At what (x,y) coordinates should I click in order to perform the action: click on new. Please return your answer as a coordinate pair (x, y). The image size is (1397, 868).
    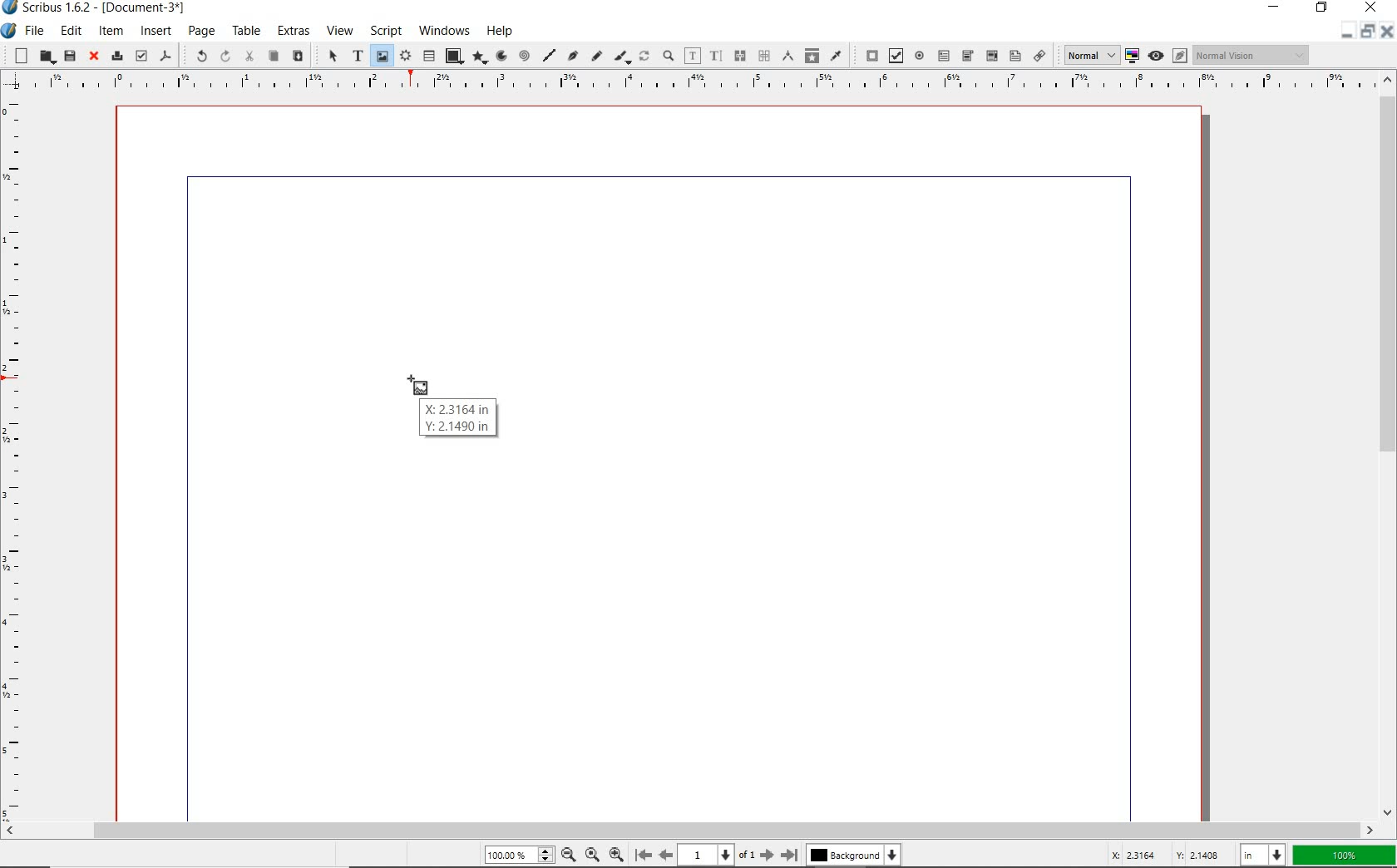
    Looking at the image, I should click on (20, 56).